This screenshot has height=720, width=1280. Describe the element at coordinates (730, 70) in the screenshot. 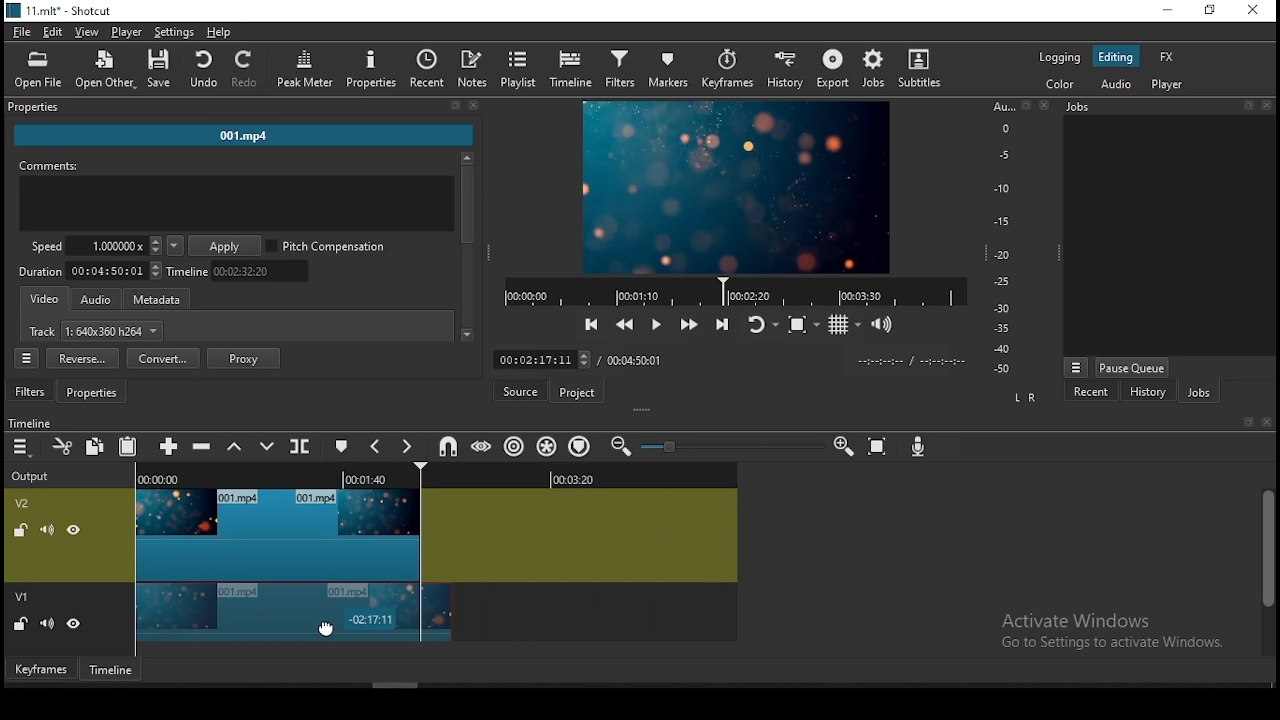

I see `keyframes` at that location.